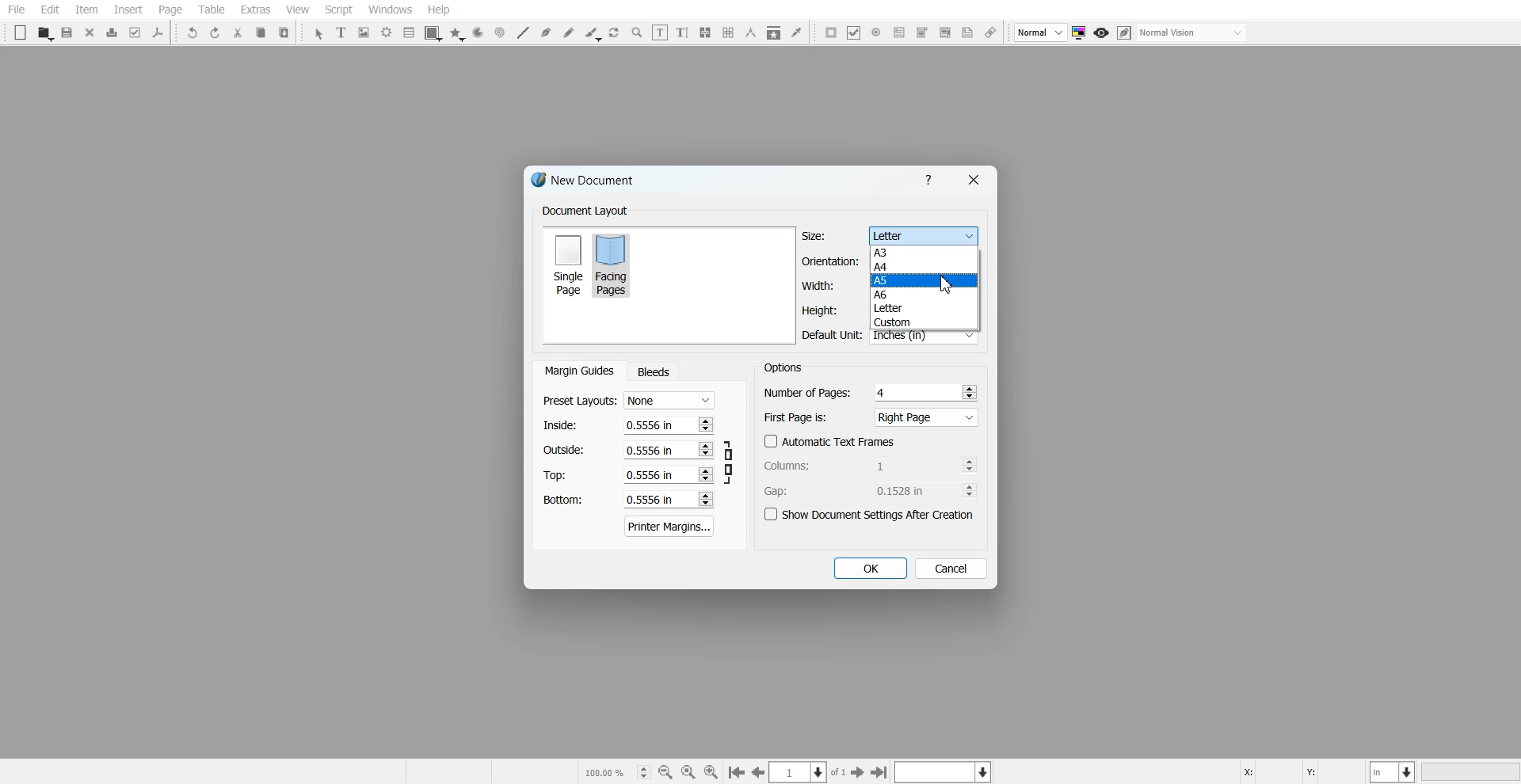  Describe the element at coordinates (751, 32) in the screenshot. I see `Measurement` at that location.